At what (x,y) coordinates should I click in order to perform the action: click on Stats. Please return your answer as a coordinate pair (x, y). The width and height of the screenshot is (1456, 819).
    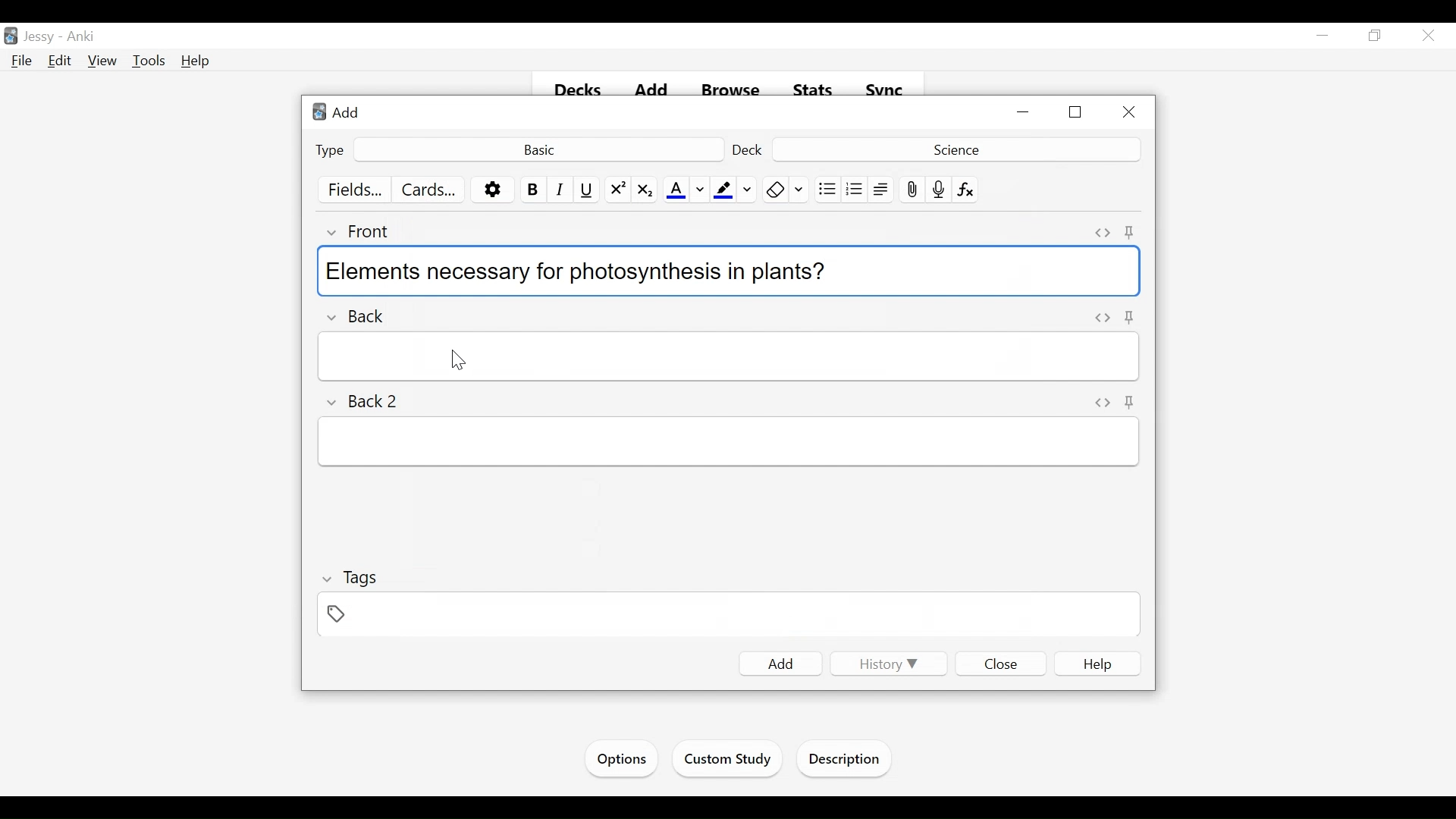
    Looking at the image, I should click on (814, 90).